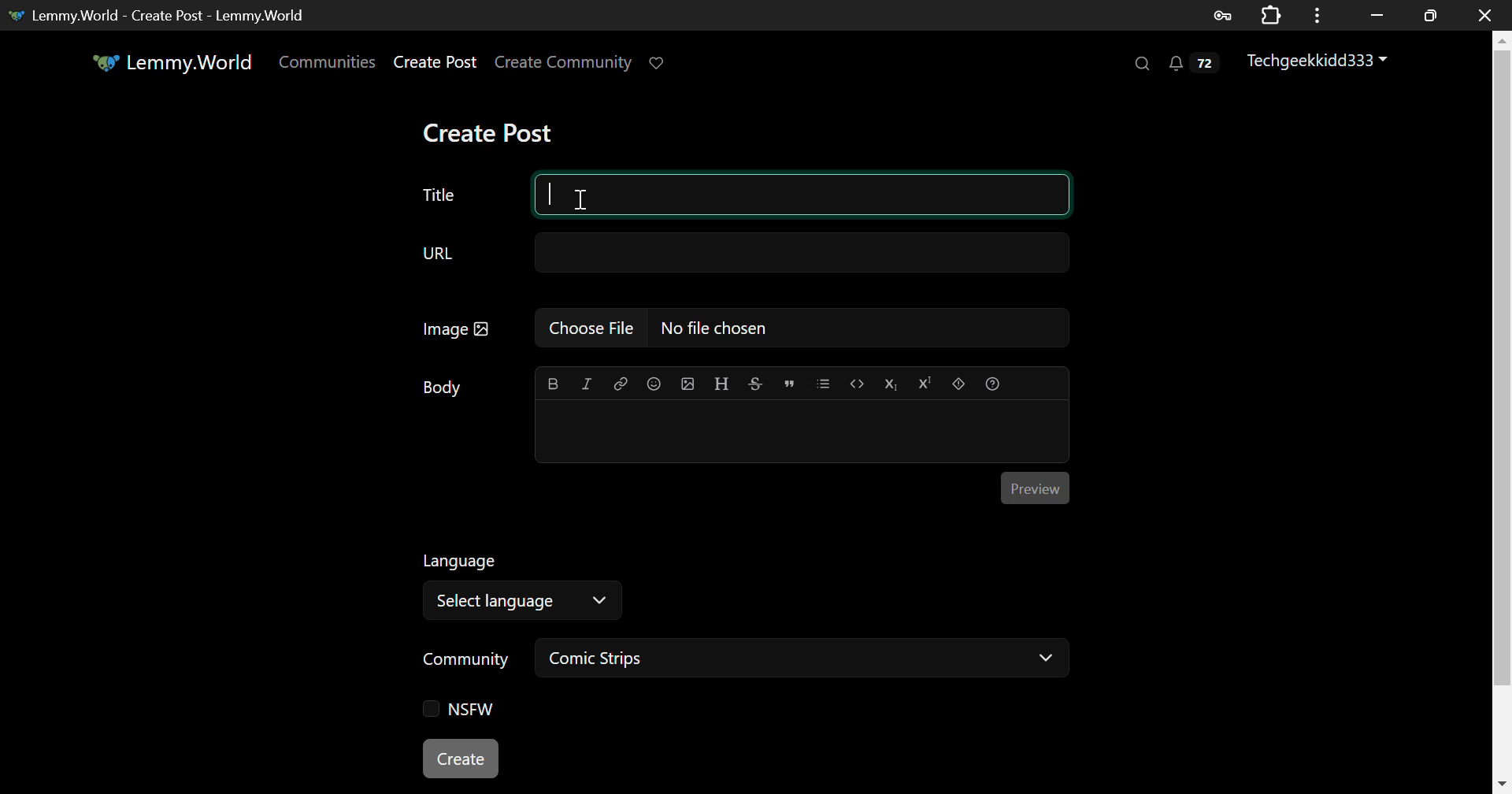  I want to click on Extensions, so click(1274, 14).